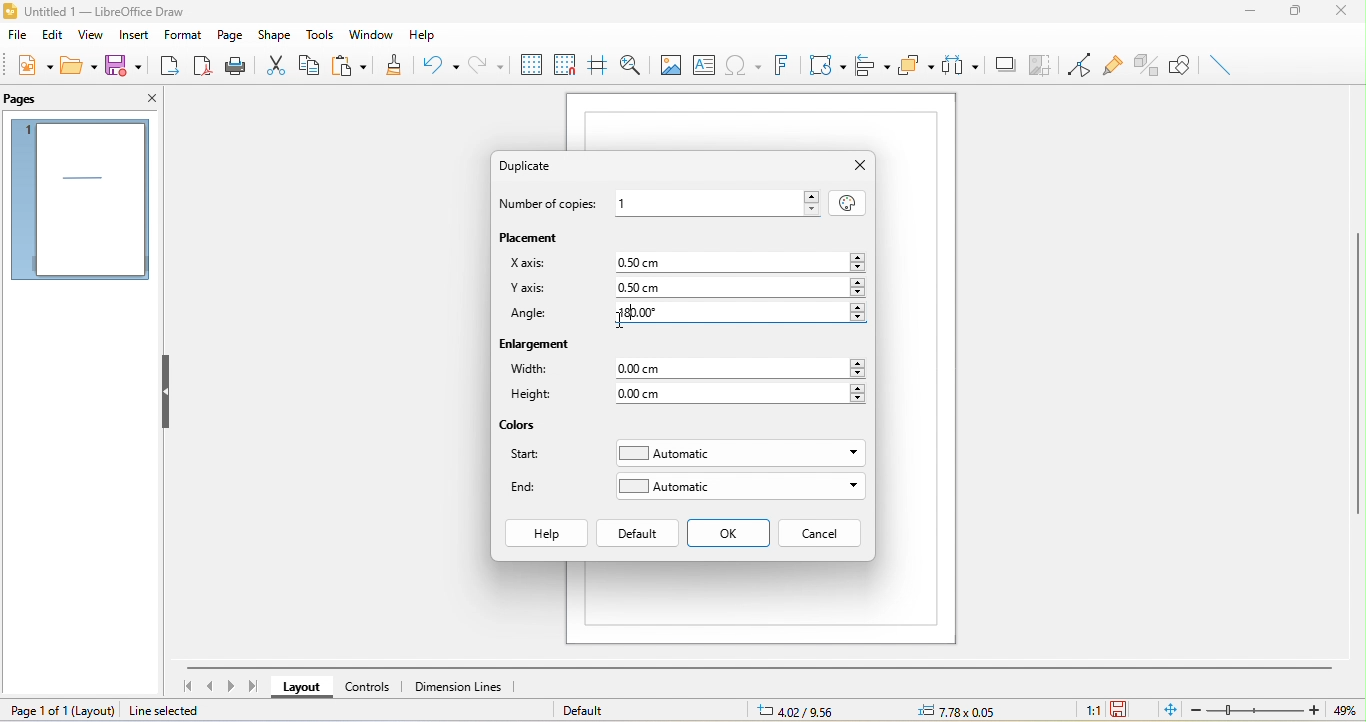  I want to click on previous page, so click(210, 687).